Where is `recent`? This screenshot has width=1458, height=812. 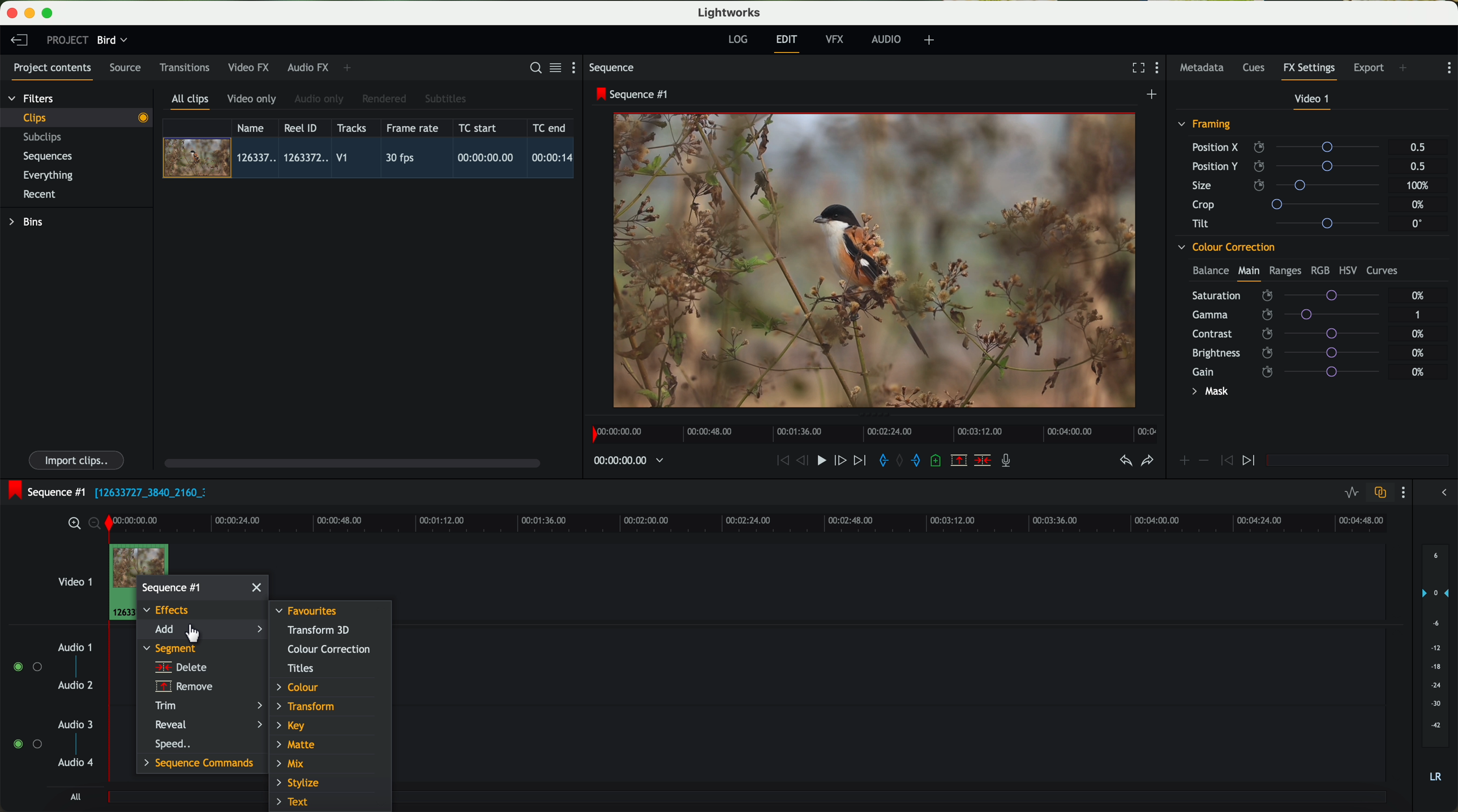
recent is located at coordinates (40, 196).